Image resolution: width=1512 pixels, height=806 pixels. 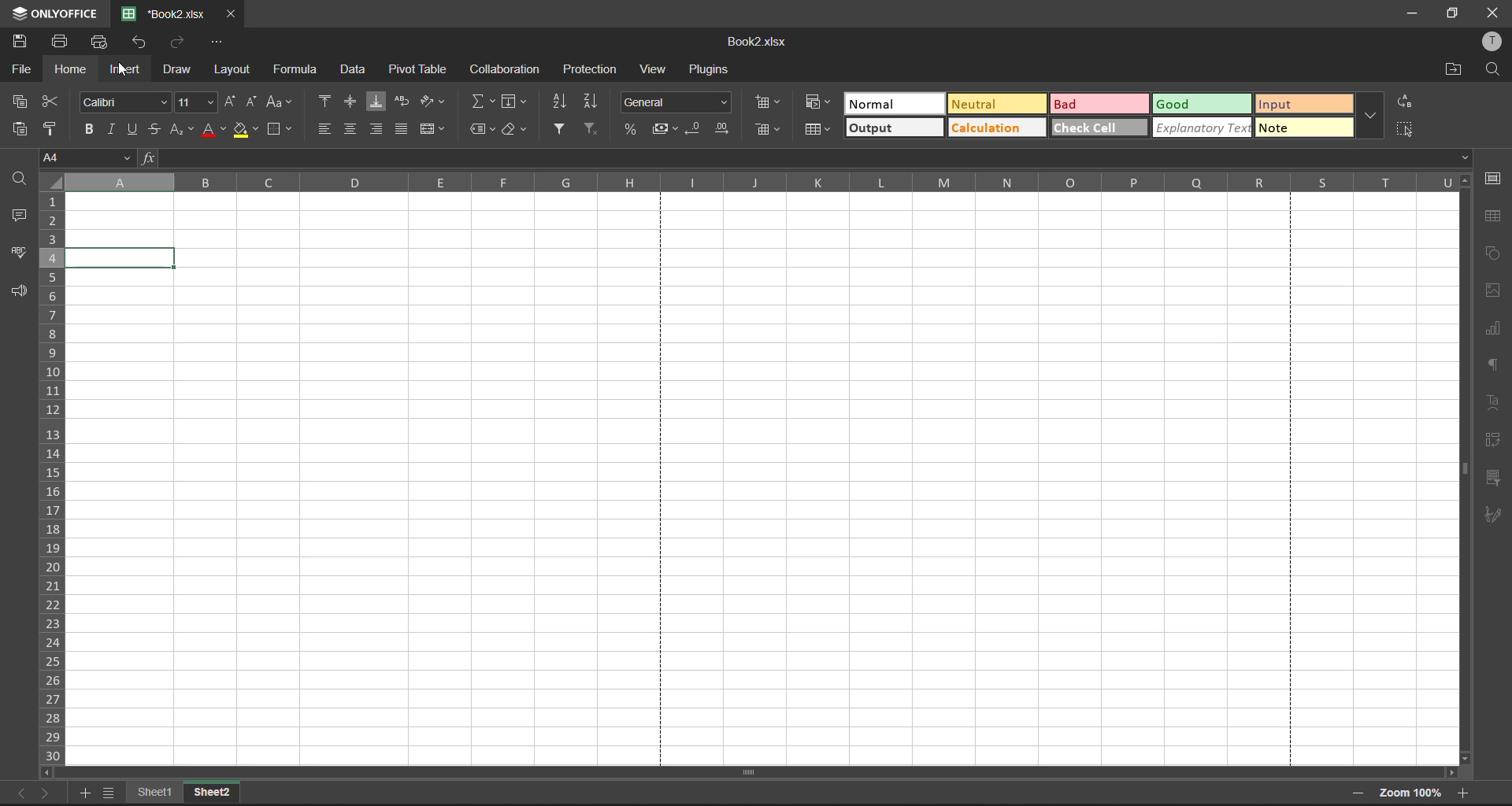 What do you see at coordinates (1491, 290) in the screenshot?
I see `images` at bounding box center [1491, 290].